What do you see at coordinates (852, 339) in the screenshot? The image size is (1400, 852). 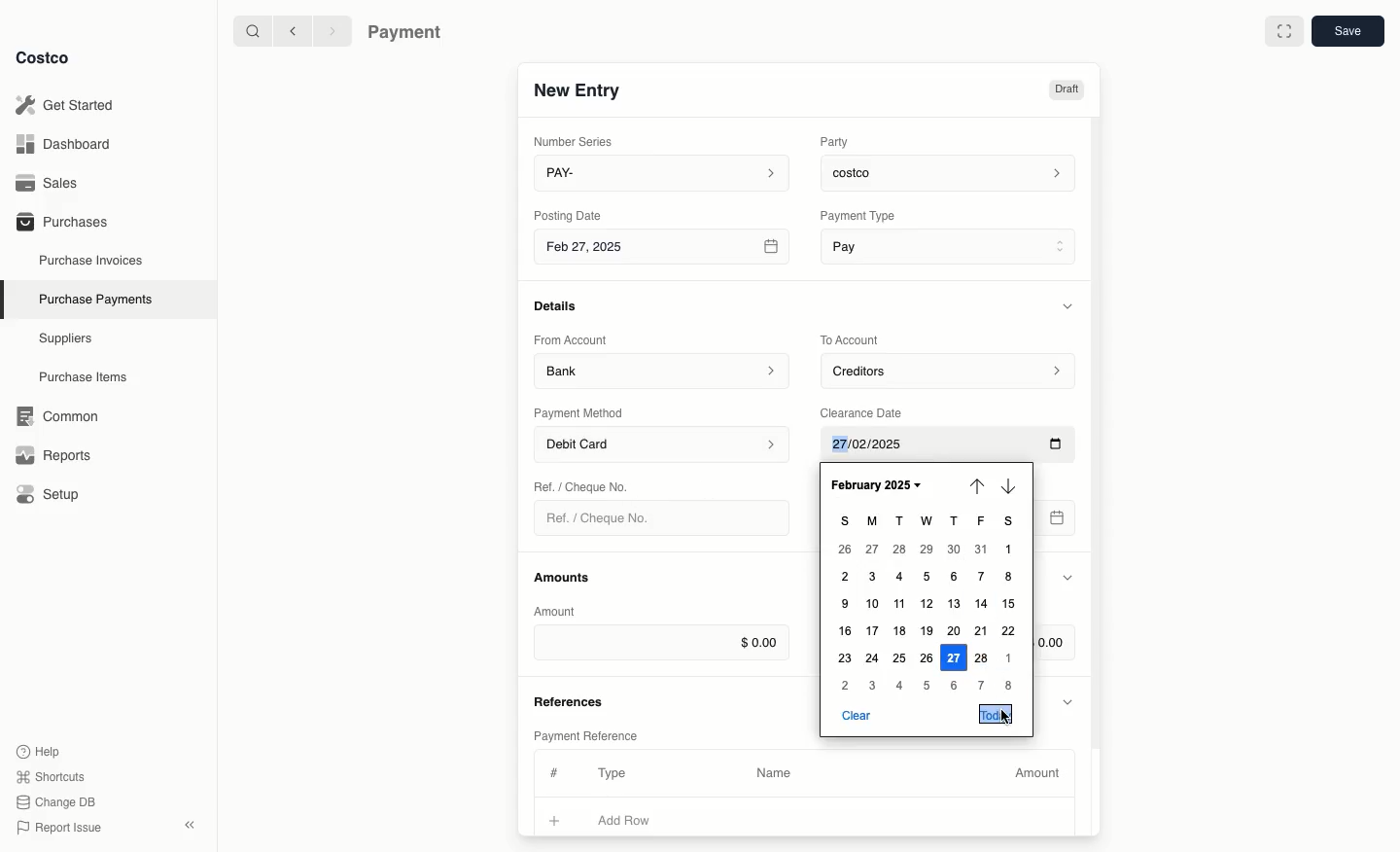 I see `To Account` at bounding box center [852, 339].